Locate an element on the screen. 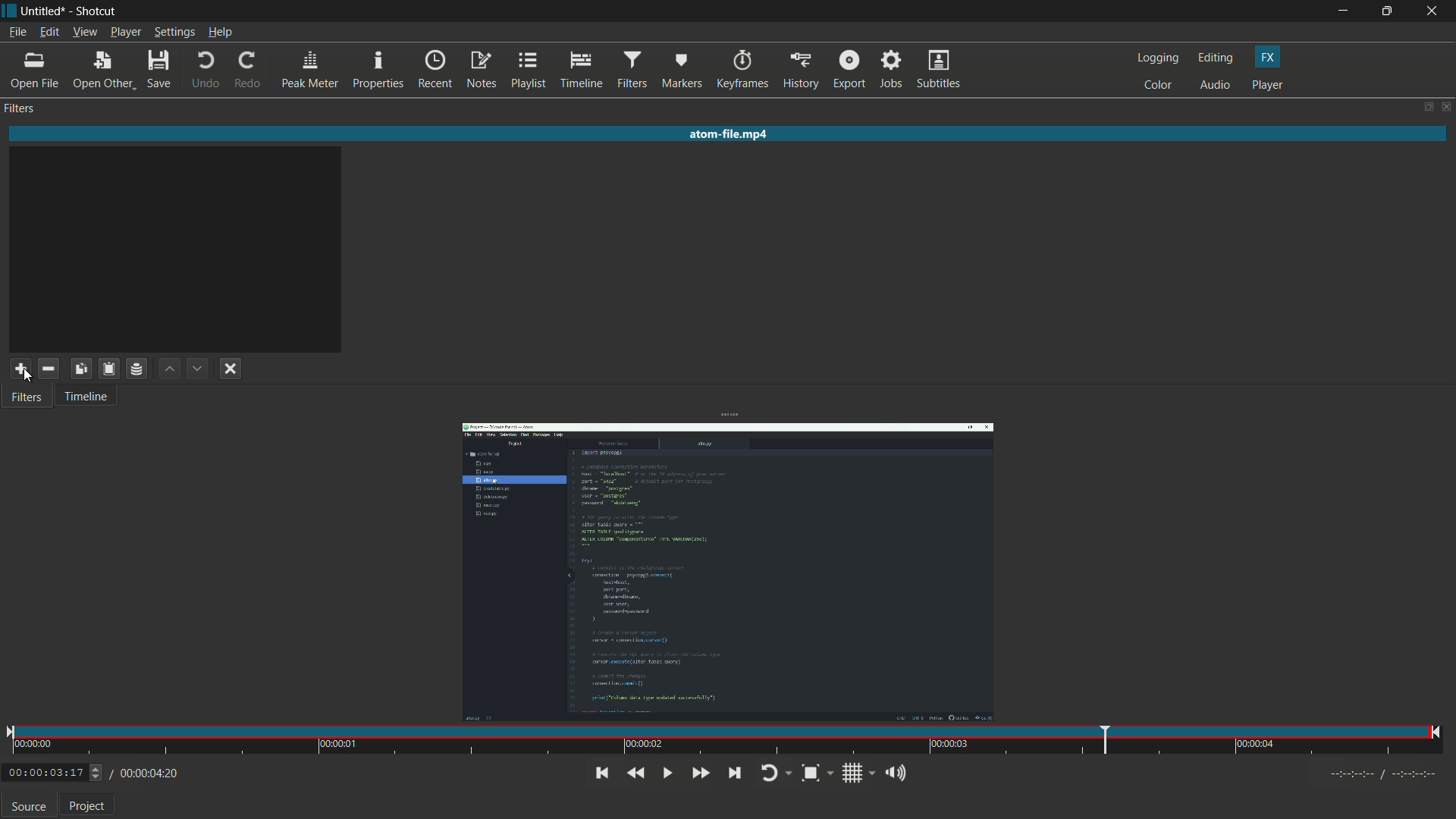  time and position is located at coordinates (726, 742).